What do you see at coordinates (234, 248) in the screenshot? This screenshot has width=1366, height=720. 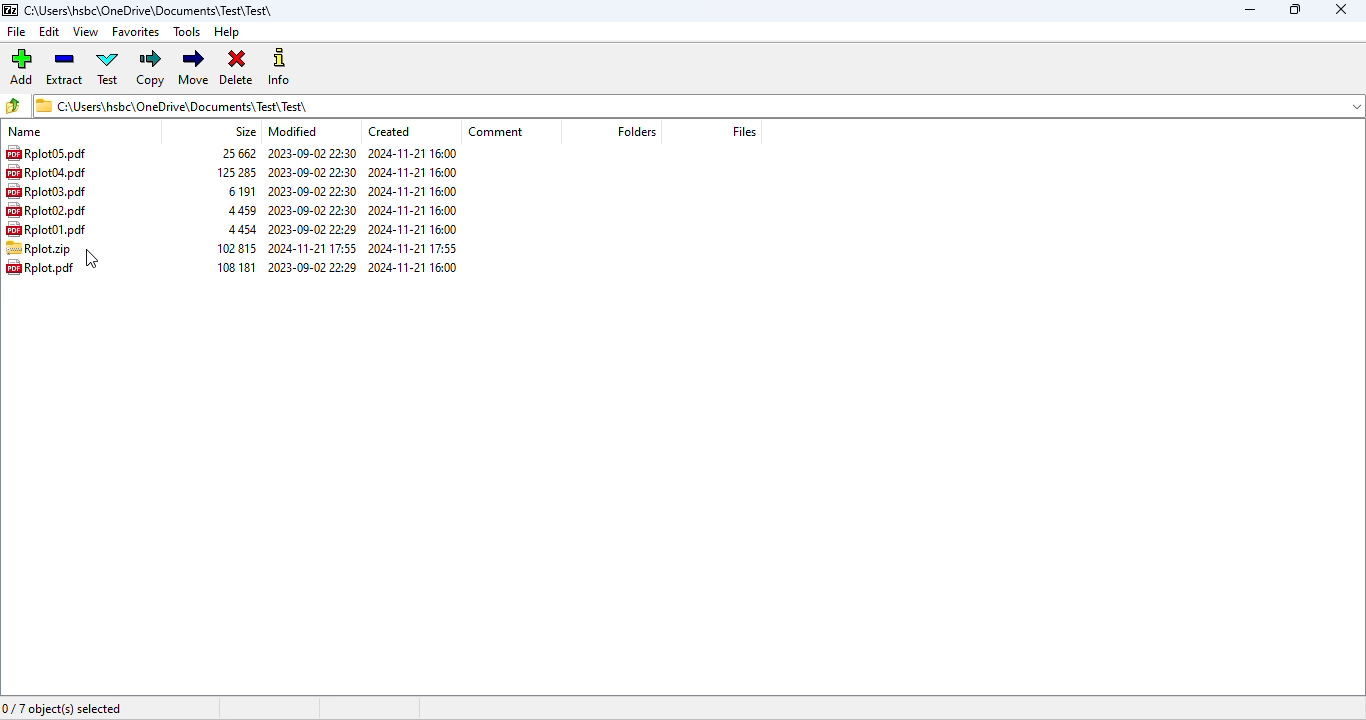 I see `102 815` at bounding box center [234, 248].